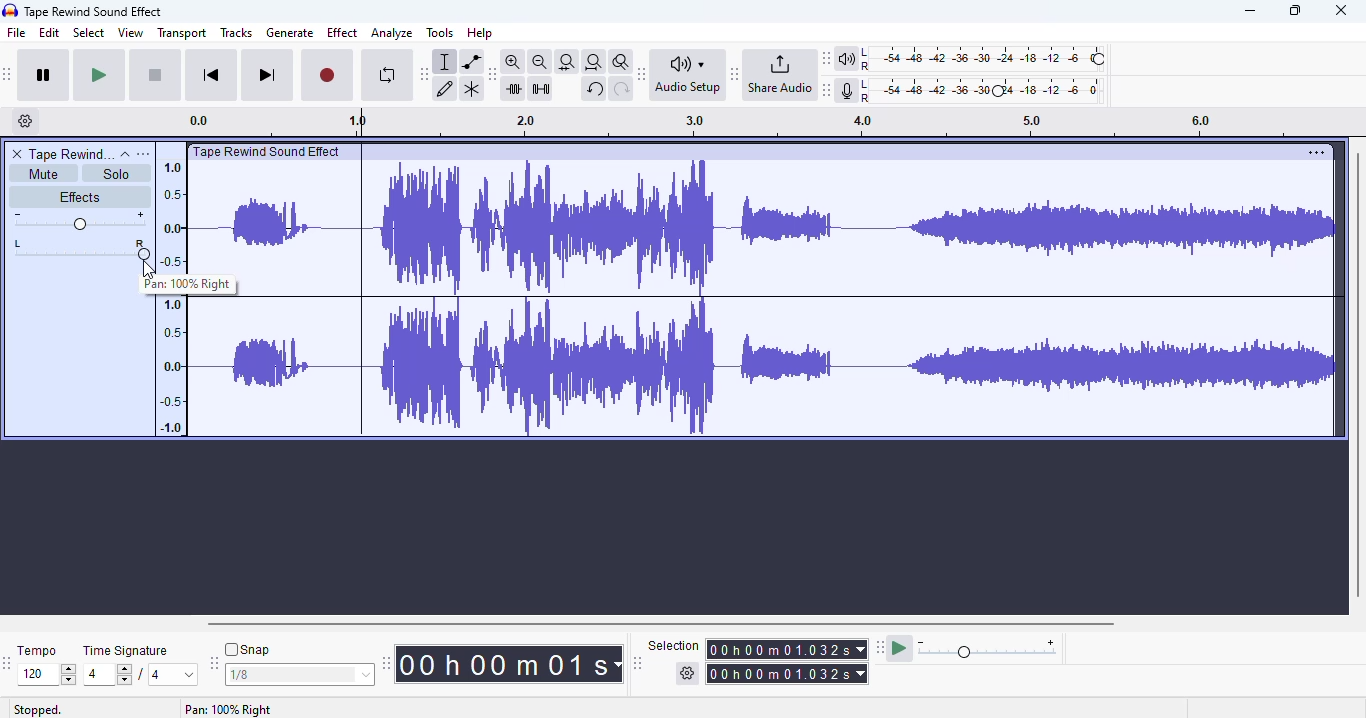  What do you see at coordinates (229, 709) in the screenshot?
I see `Pan: 100% Right` at bounding box center [229, 709].